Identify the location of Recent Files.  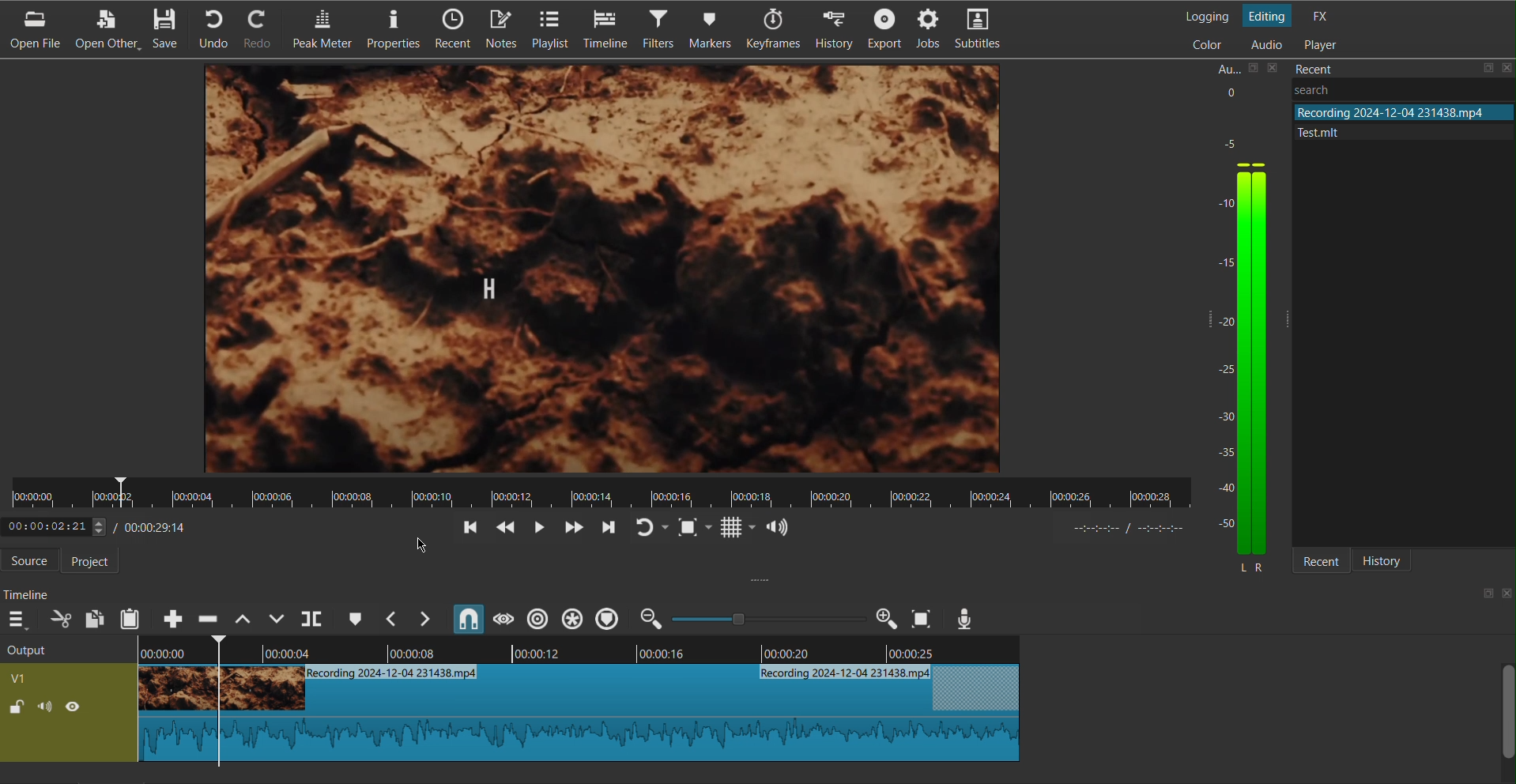
(1383, 66).